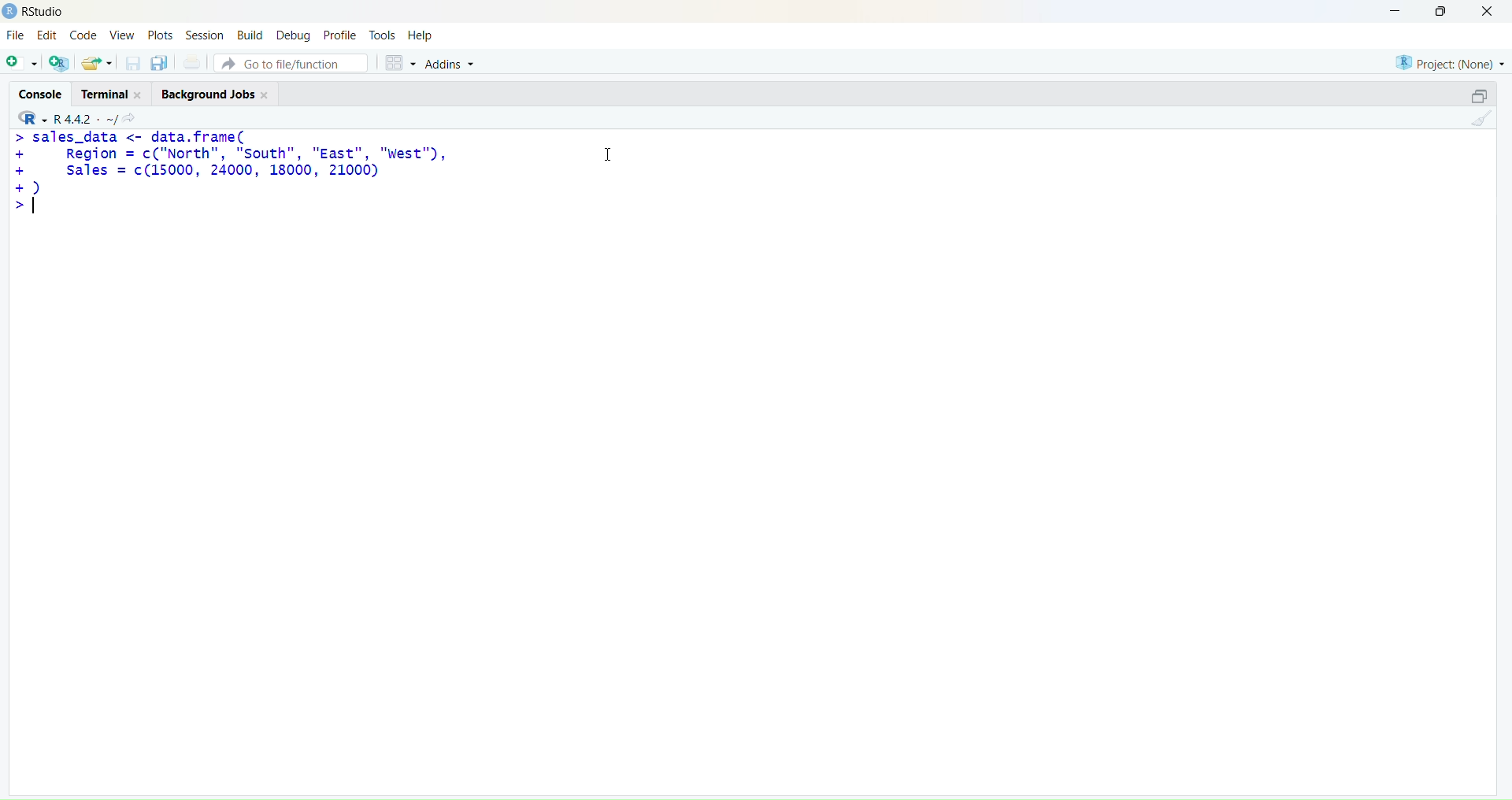 Image resolution: width=1512 pixels, height=800 pixels. What do you see at coordinates (450, 64) in the screenshot?
I see `Addins ~` at bounding box center [450, 64].